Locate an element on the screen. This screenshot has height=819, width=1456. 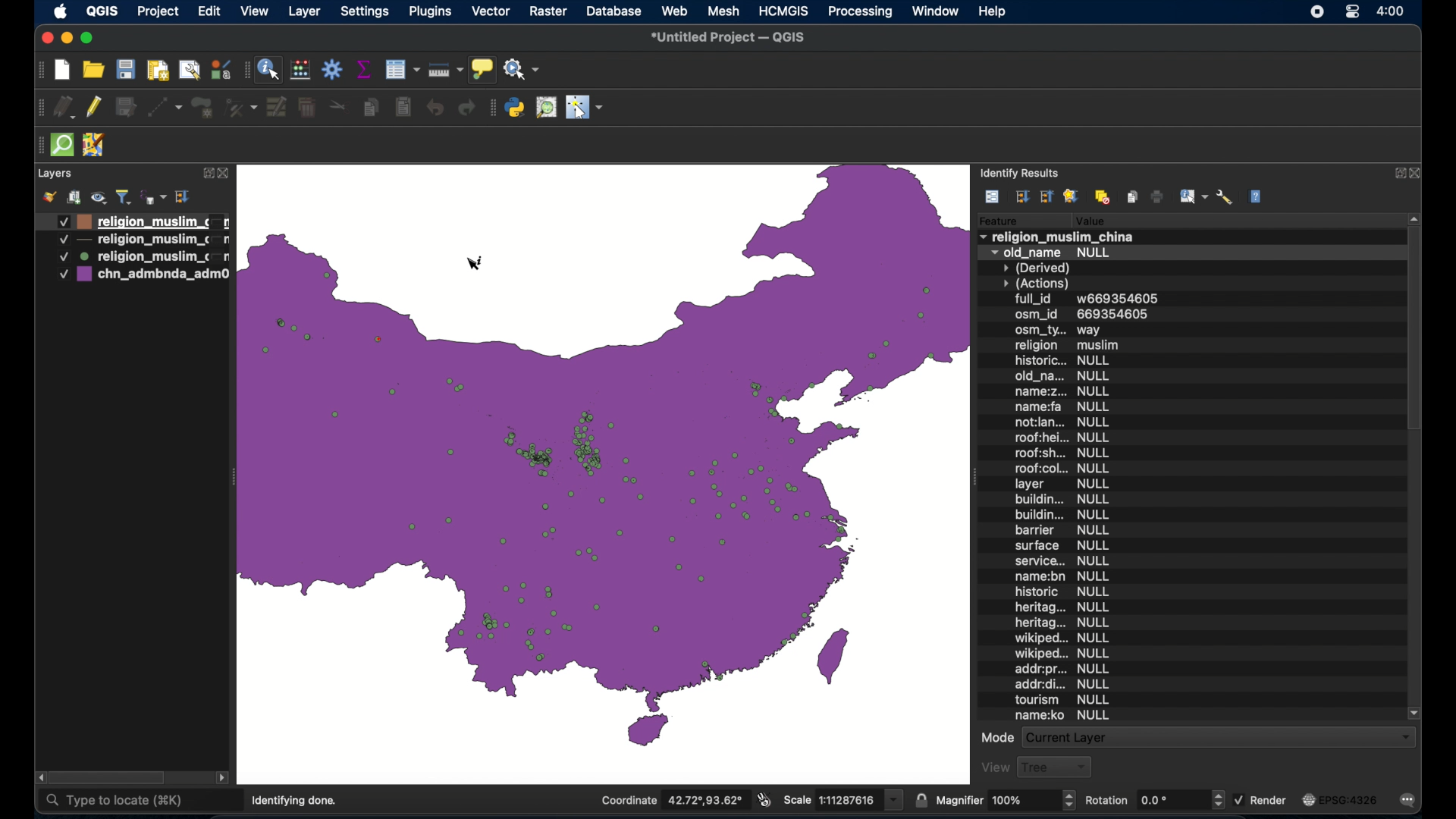
scroll up arrow is located at coordinates (1413, 218).